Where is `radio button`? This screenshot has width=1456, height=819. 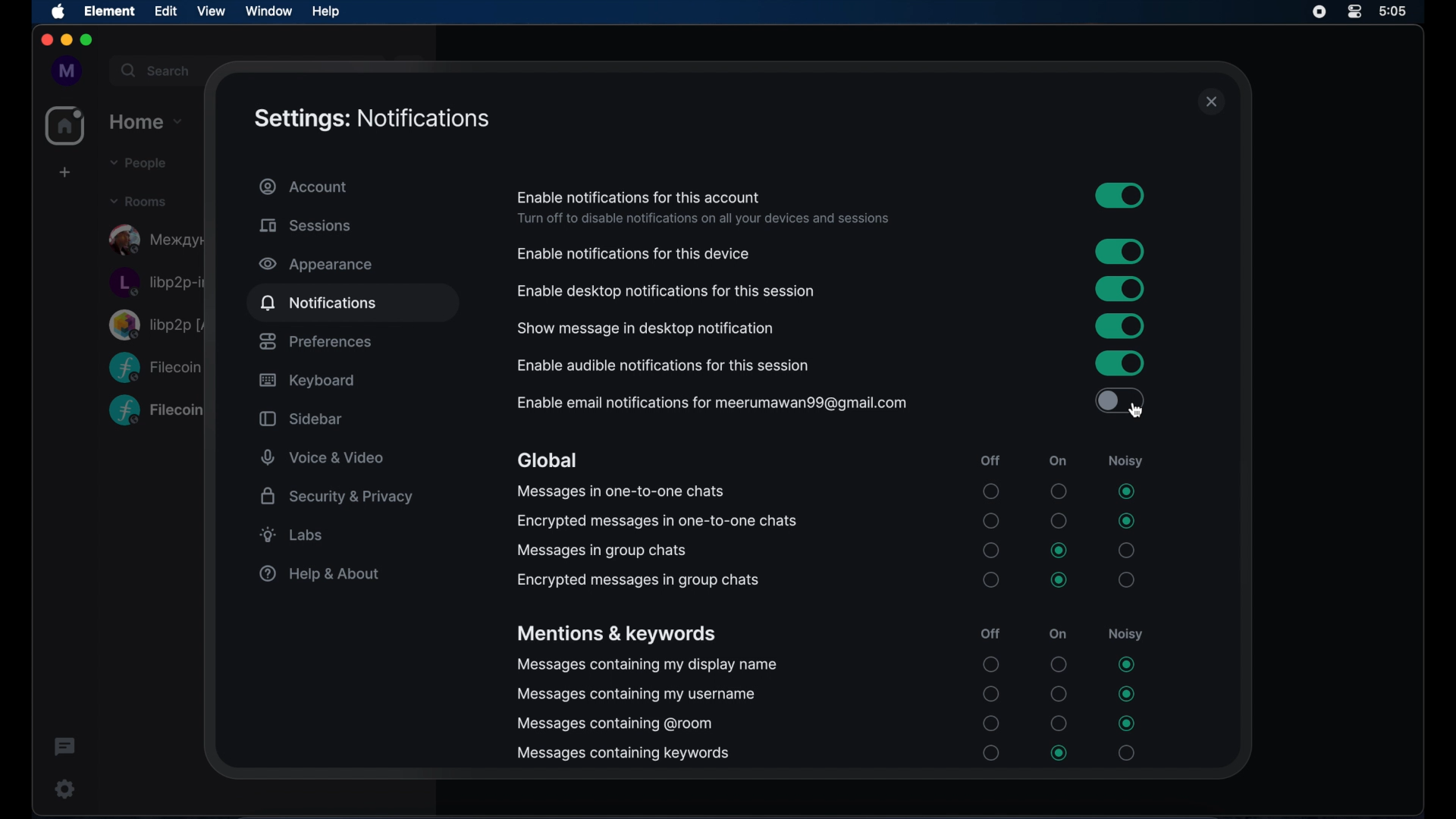
radio button is located at coordinates (1059, 520).